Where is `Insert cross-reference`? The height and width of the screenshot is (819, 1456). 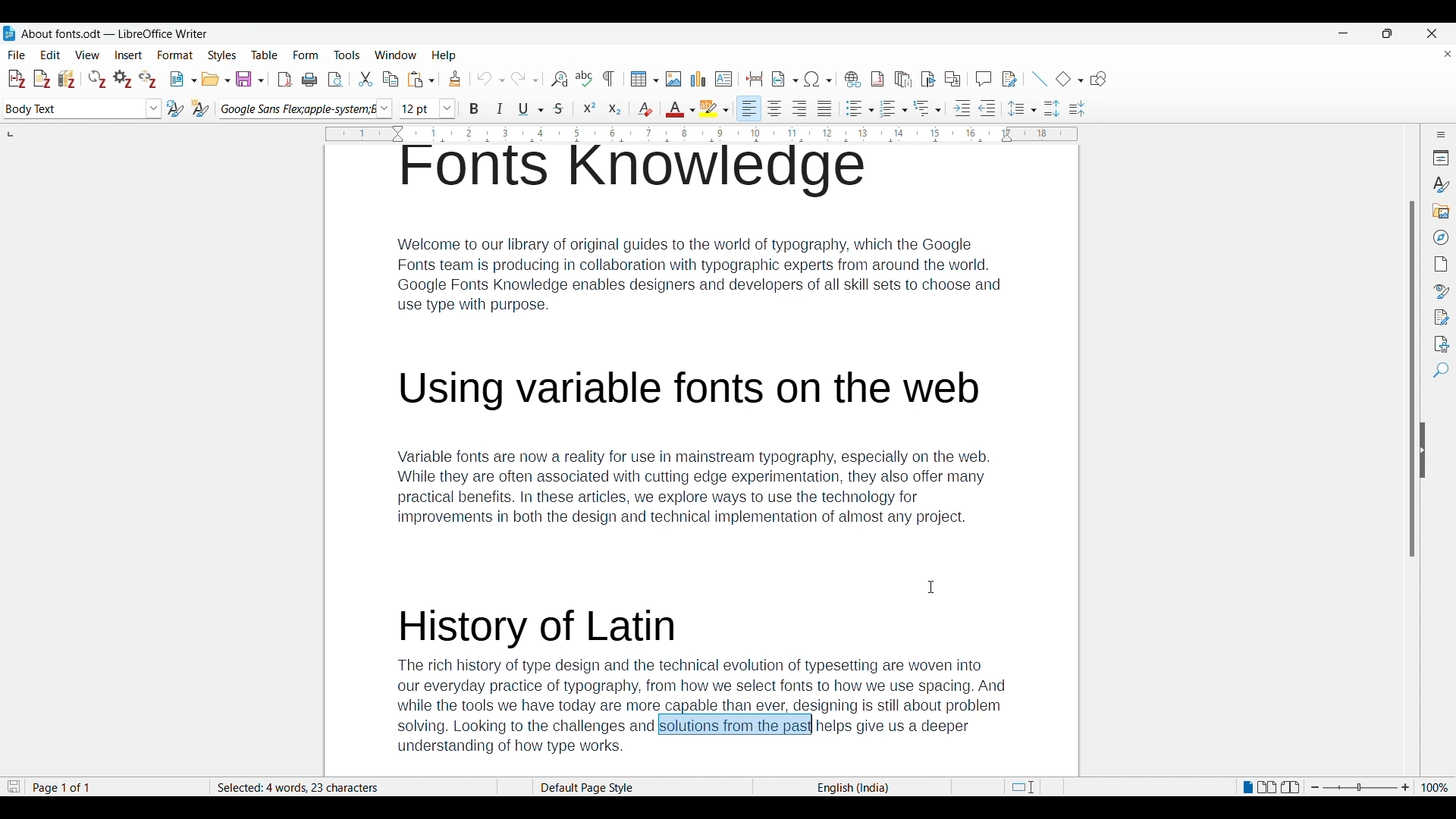
Insert cross-reference is located at coordinates (952, 78).